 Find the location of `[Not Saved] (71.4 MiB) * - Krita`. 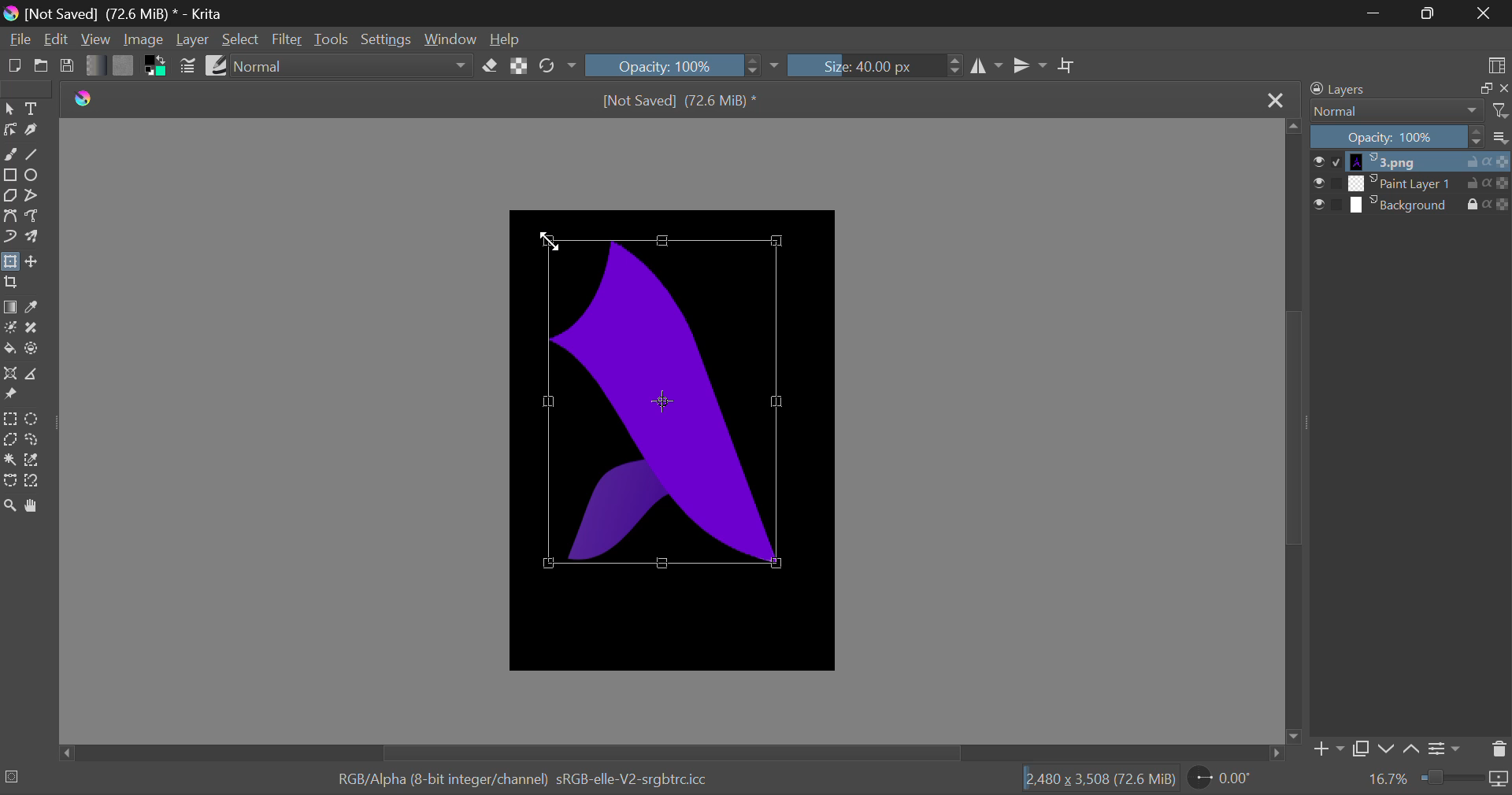

[Not Saved] (71.4 MiB) * - Krita is located at coordinates (126, 13).